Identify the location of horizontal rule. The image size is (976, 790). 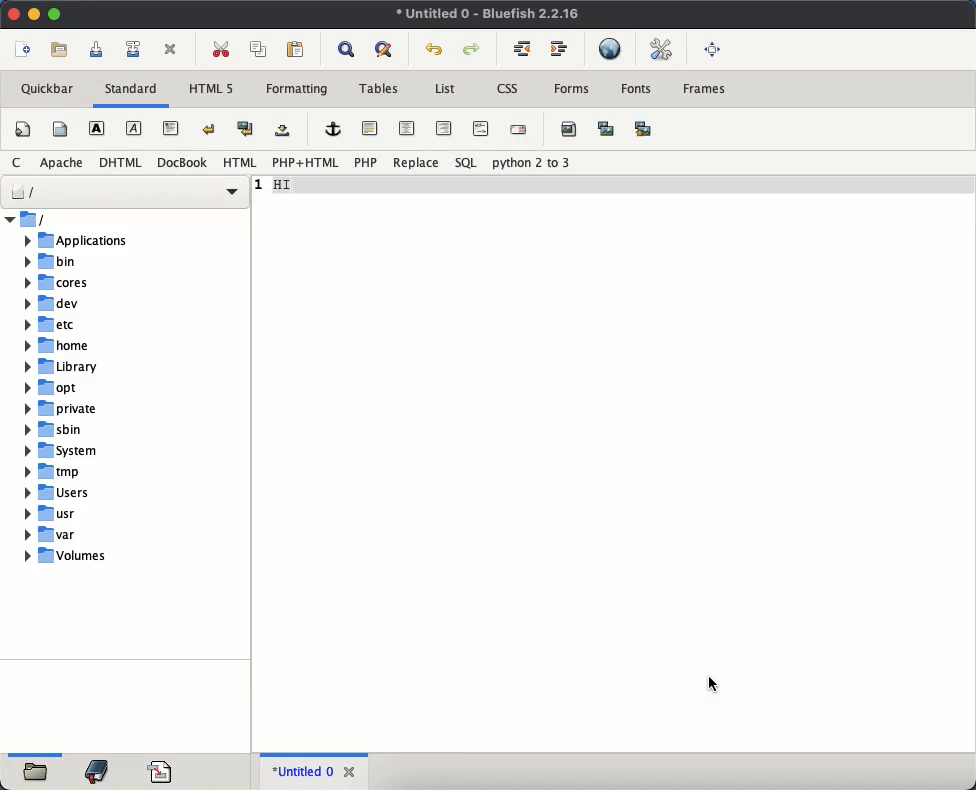
(372, 129).